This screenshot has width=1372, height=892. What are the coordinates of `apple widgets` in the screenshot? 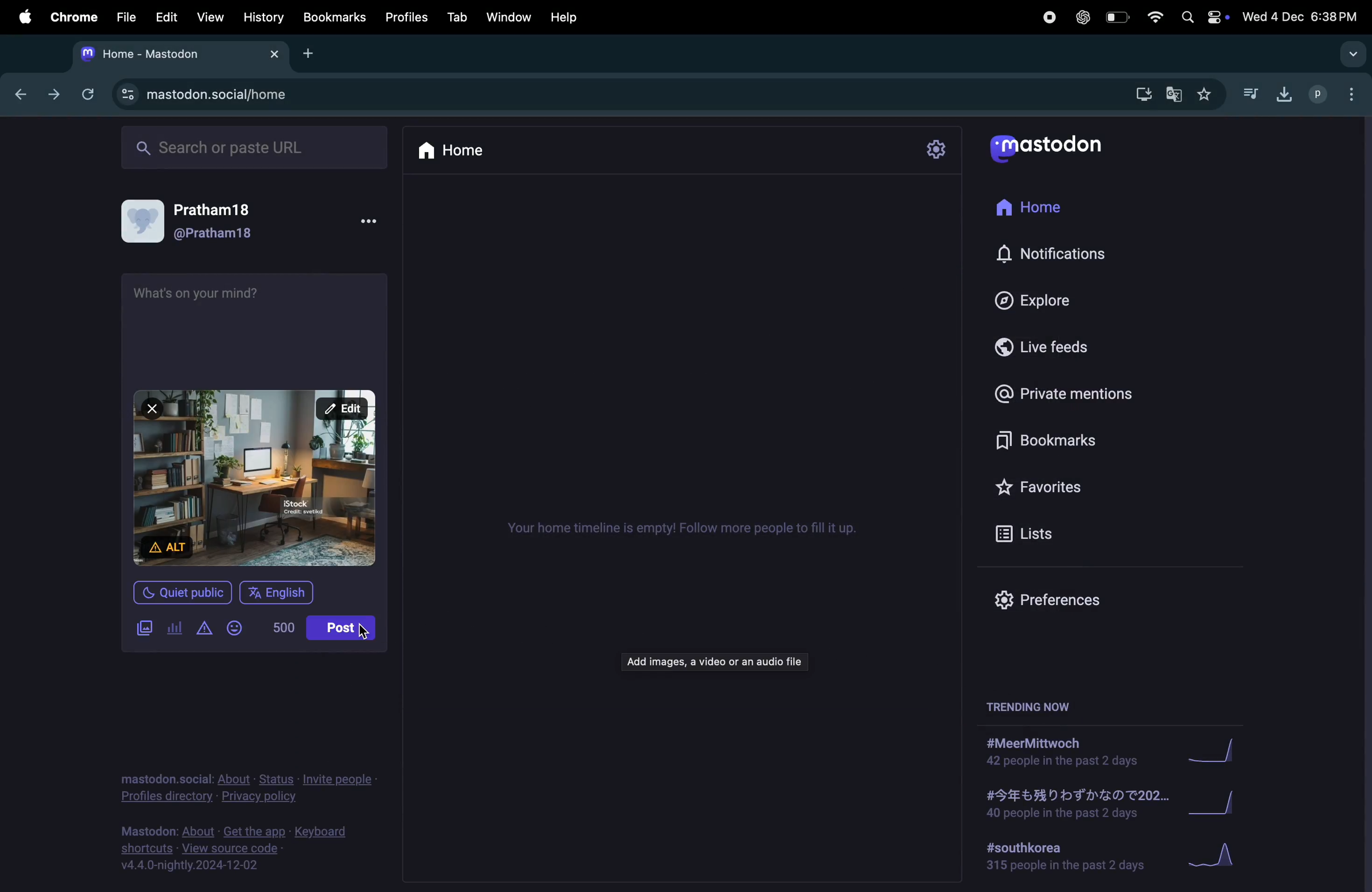 It's located at (1204, 17).